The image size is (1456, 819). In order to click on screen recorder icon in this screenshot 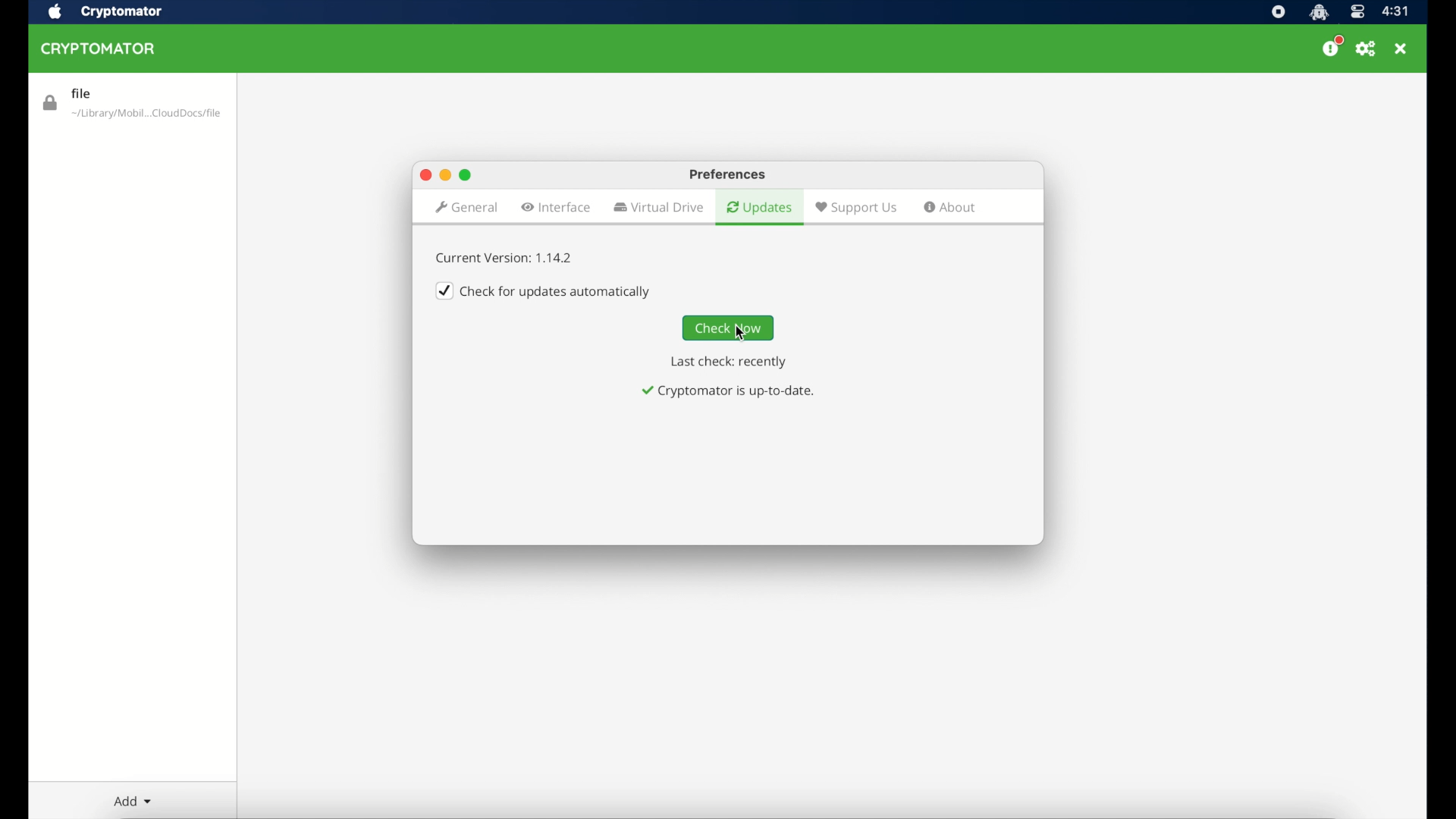, I will do `click(1278, 12)`.